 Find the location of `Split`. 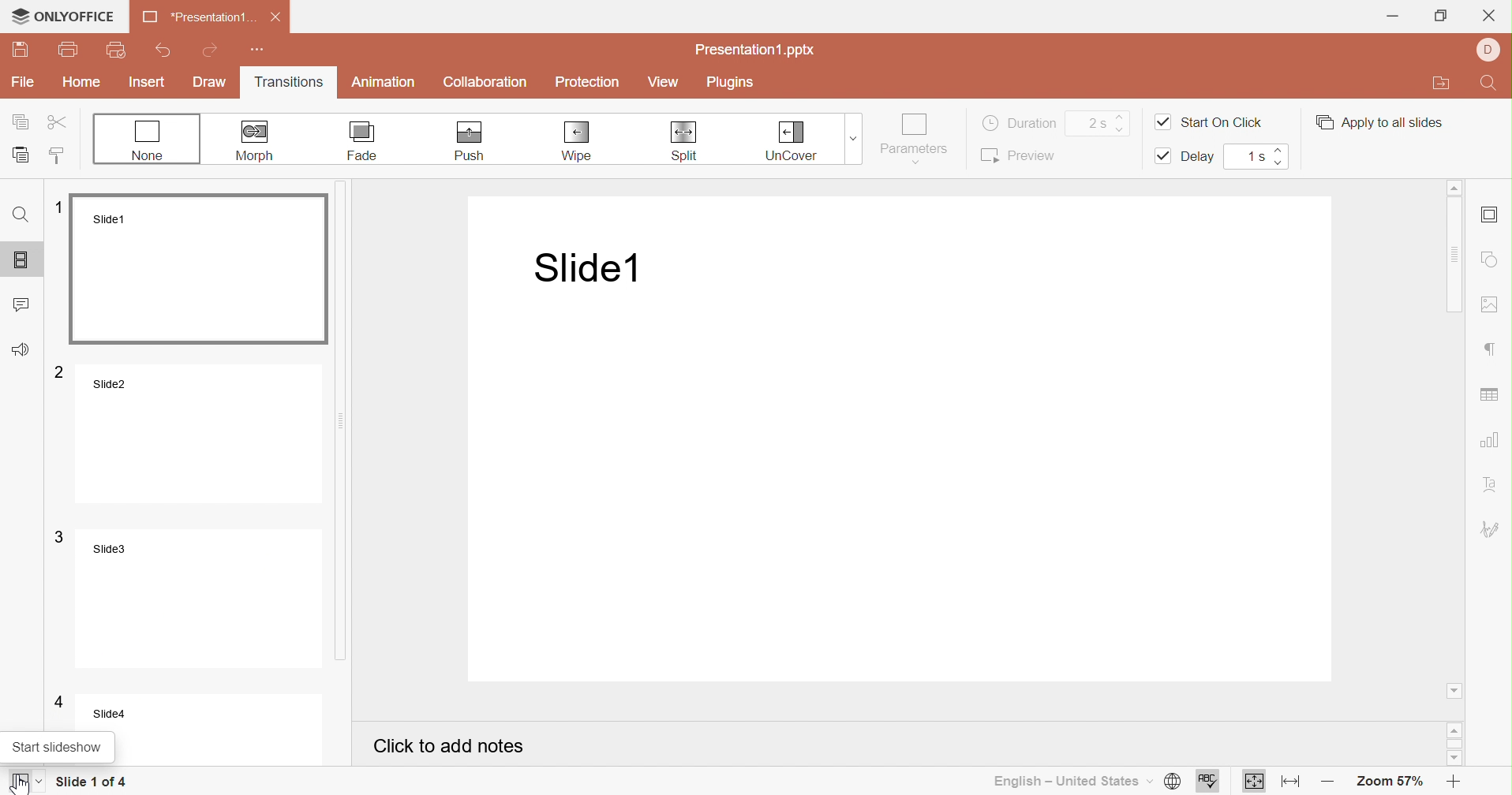

Split is located at coordinates (683, 141).